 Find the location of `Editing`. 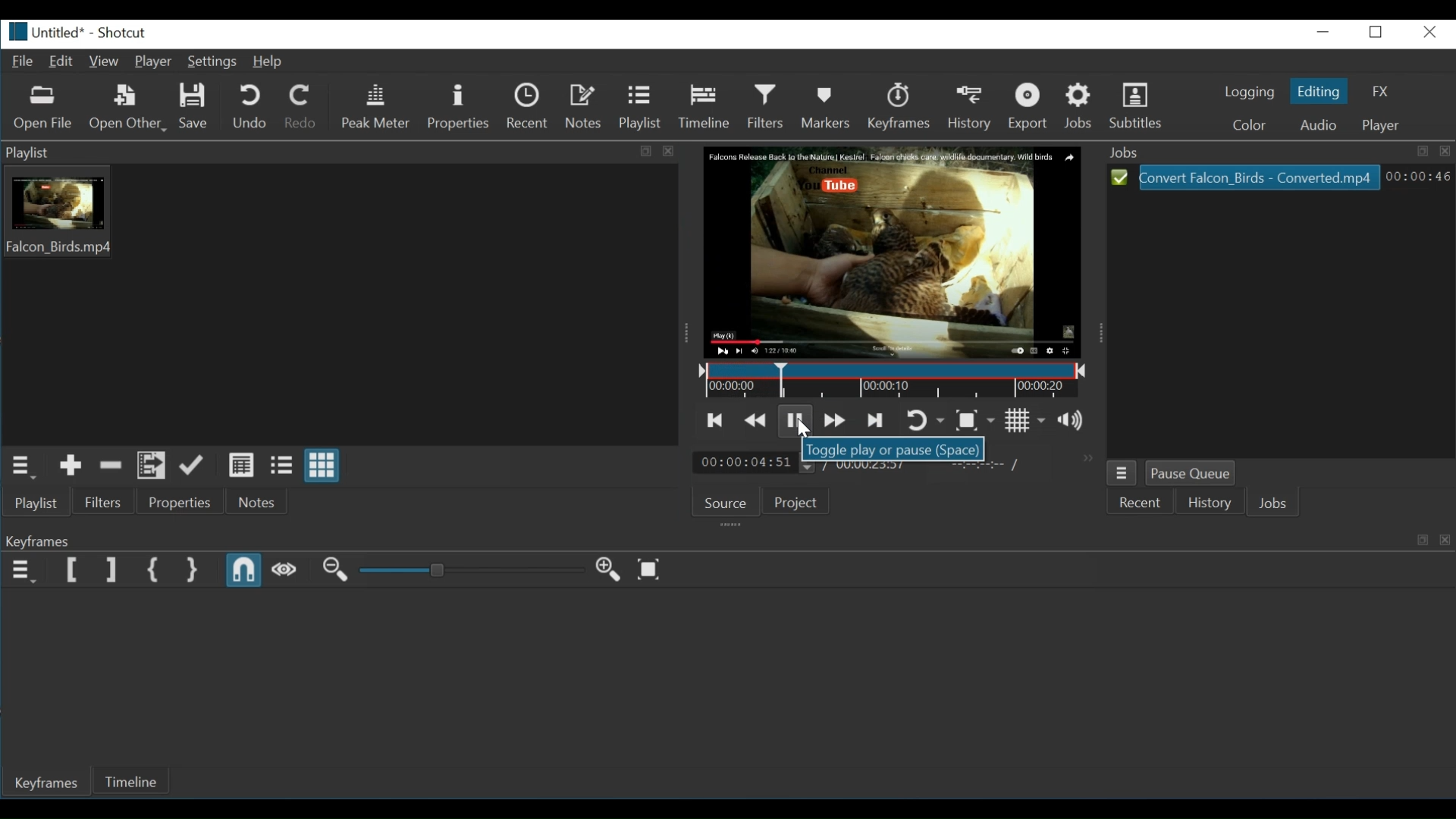

Editing is located at coordinates (1320, 91).